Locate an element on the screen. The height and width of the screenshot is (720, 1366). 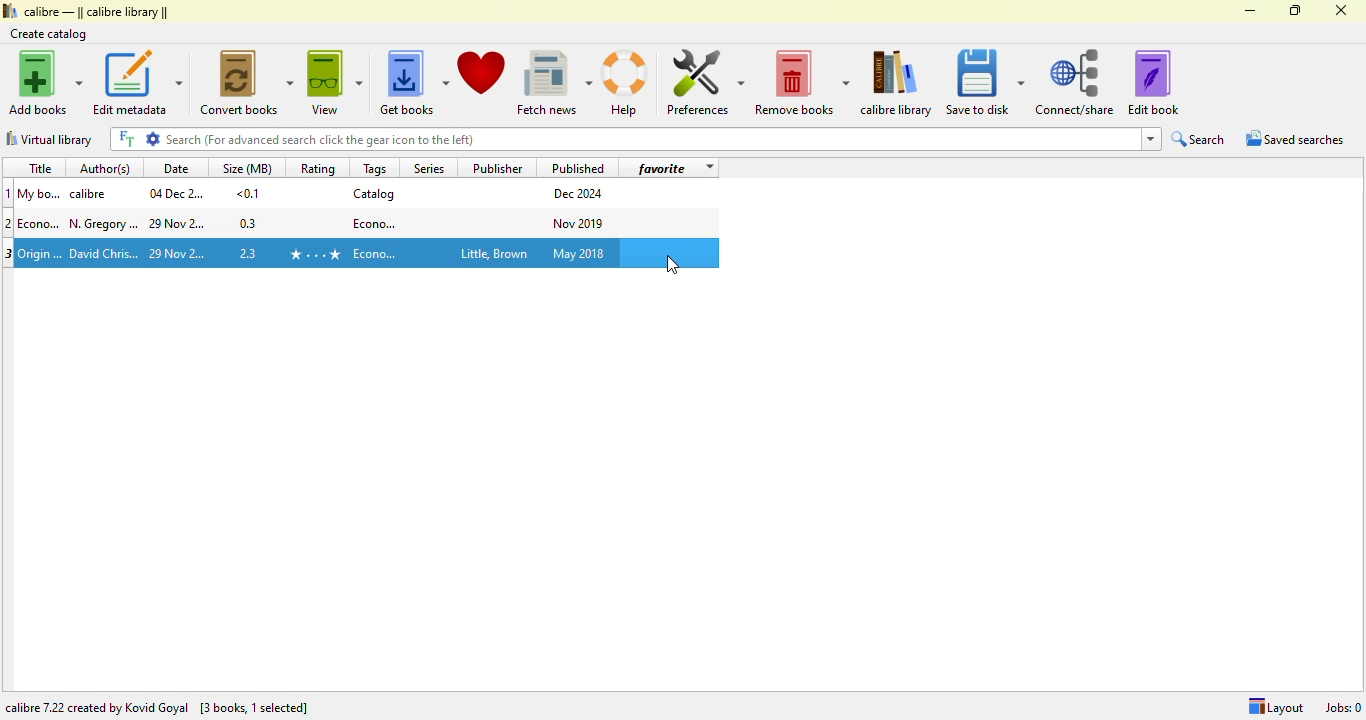
minimize is located at coordinates (1251, 11).